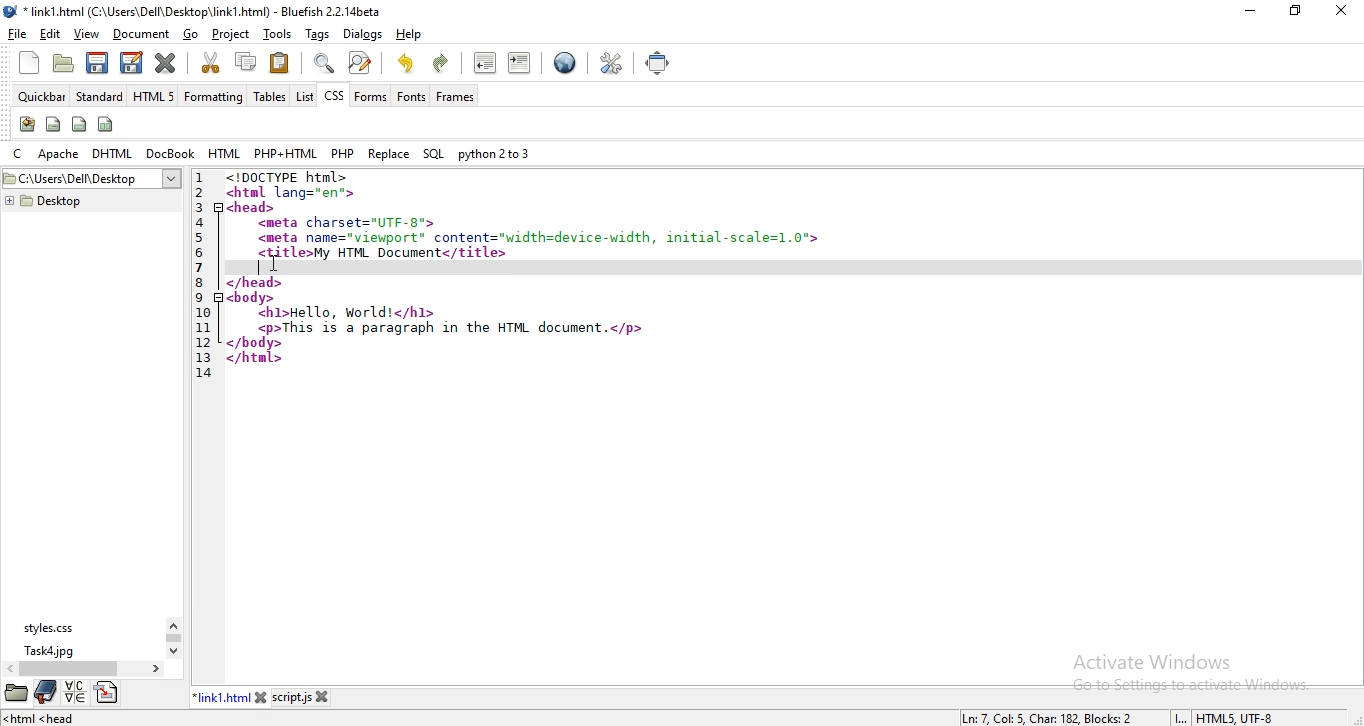 Image resolution: width=1364 pixels, height=726 pixels. Describe the element at coordinates (199, 193) in the screenshot. I see `2` at that location.